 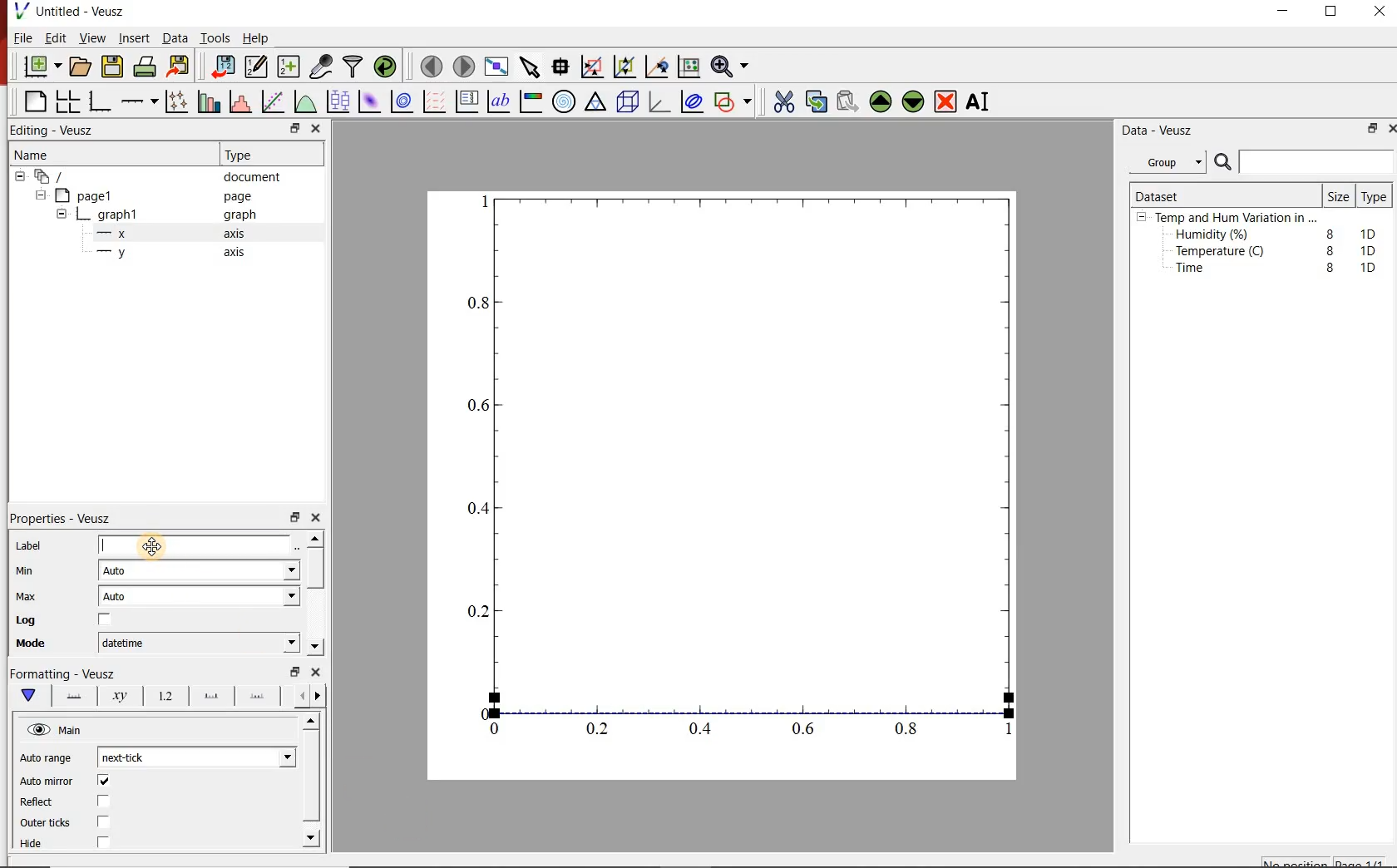 I want to click on datetime, so click(x=127, y=643).